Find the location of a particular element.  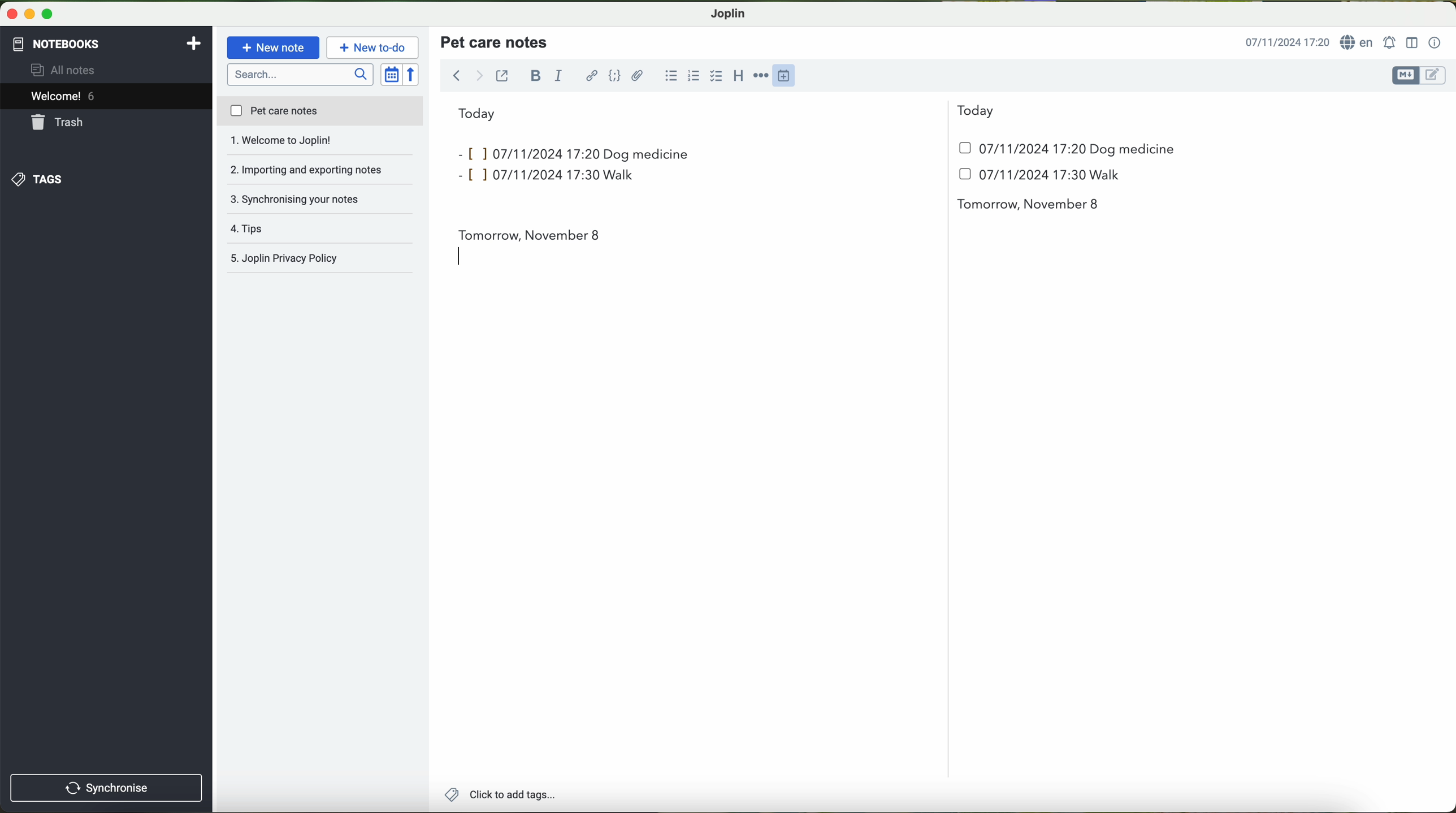

synchronising your notes is located at coordinates (321, 171).